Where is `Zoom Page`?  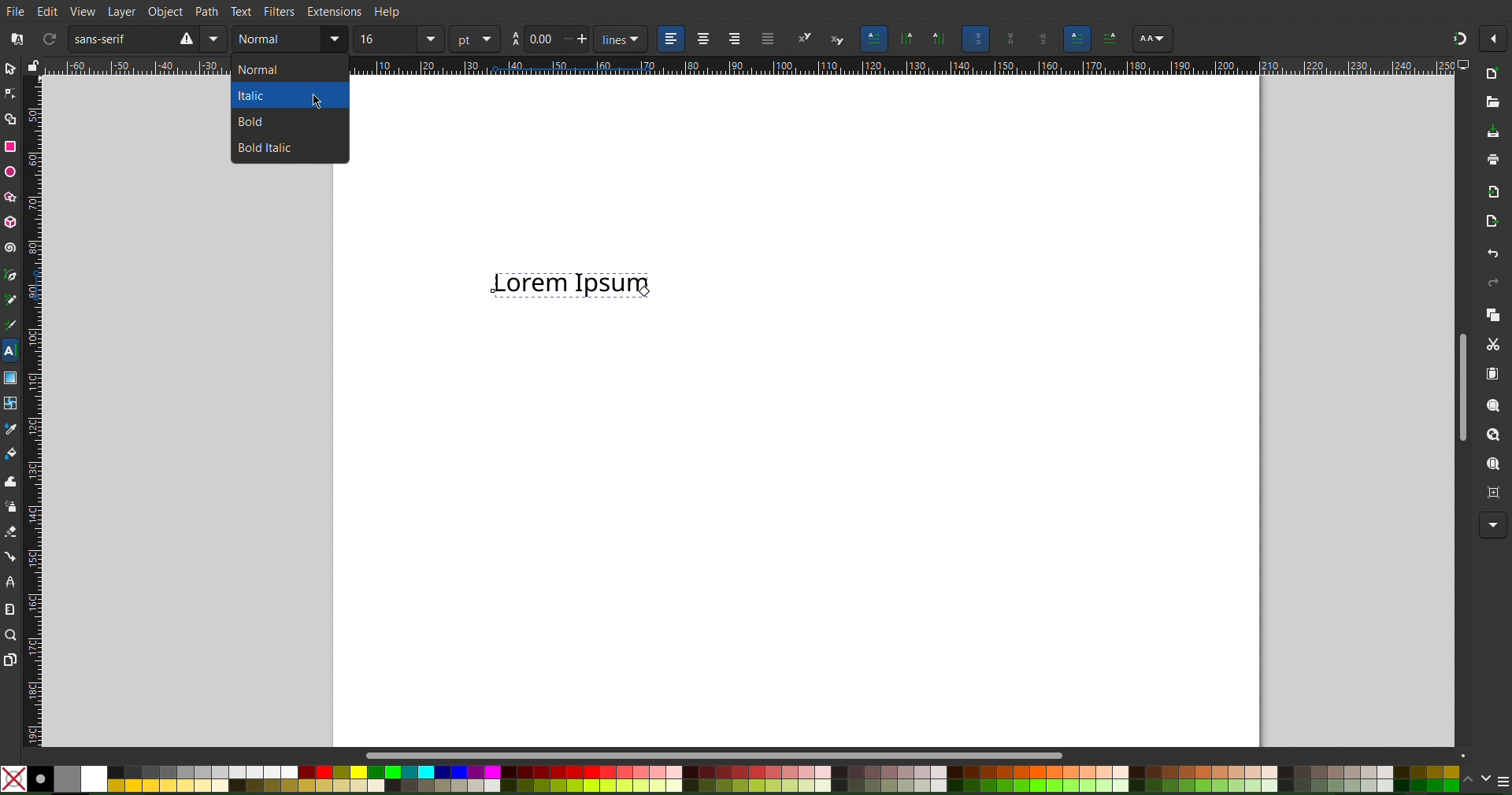 Zoom Page is located at coordinates (1488, 465).